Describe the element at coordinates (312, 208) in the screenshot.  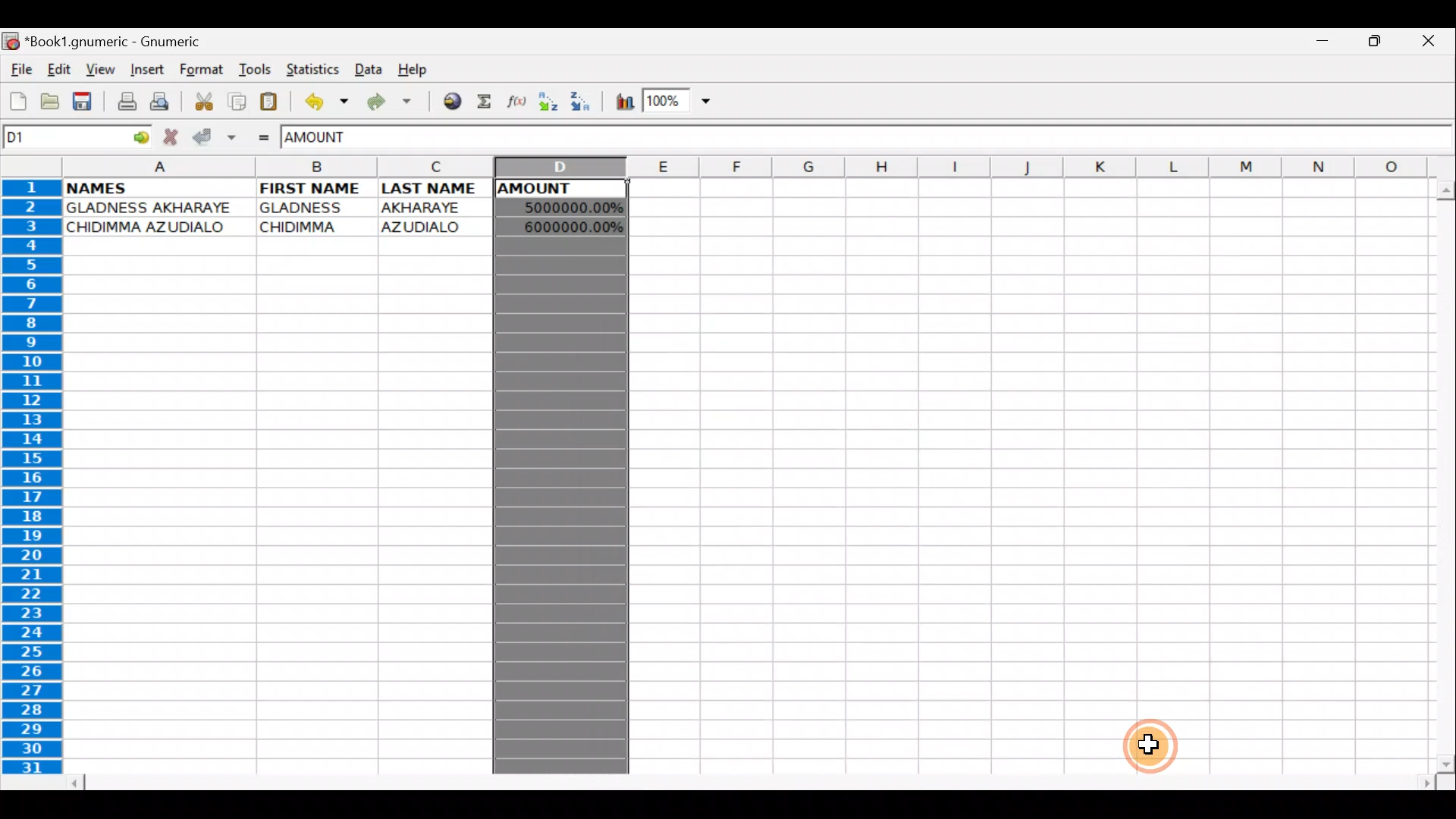
I see `GLADNESS` at that location.